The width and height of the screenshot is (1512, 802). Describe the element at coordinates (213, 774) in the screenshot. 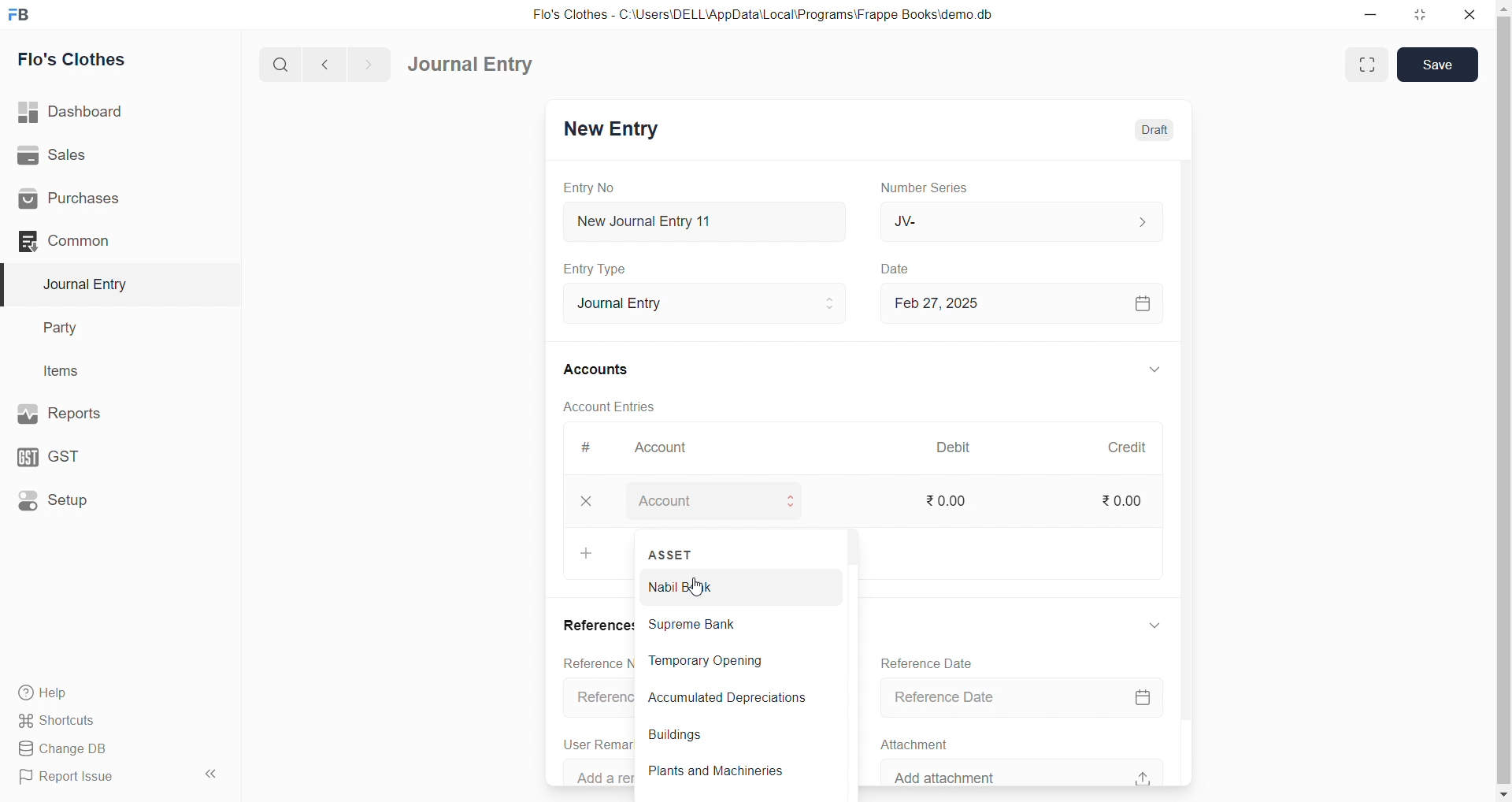

I see `collapse sidebar` at that location.